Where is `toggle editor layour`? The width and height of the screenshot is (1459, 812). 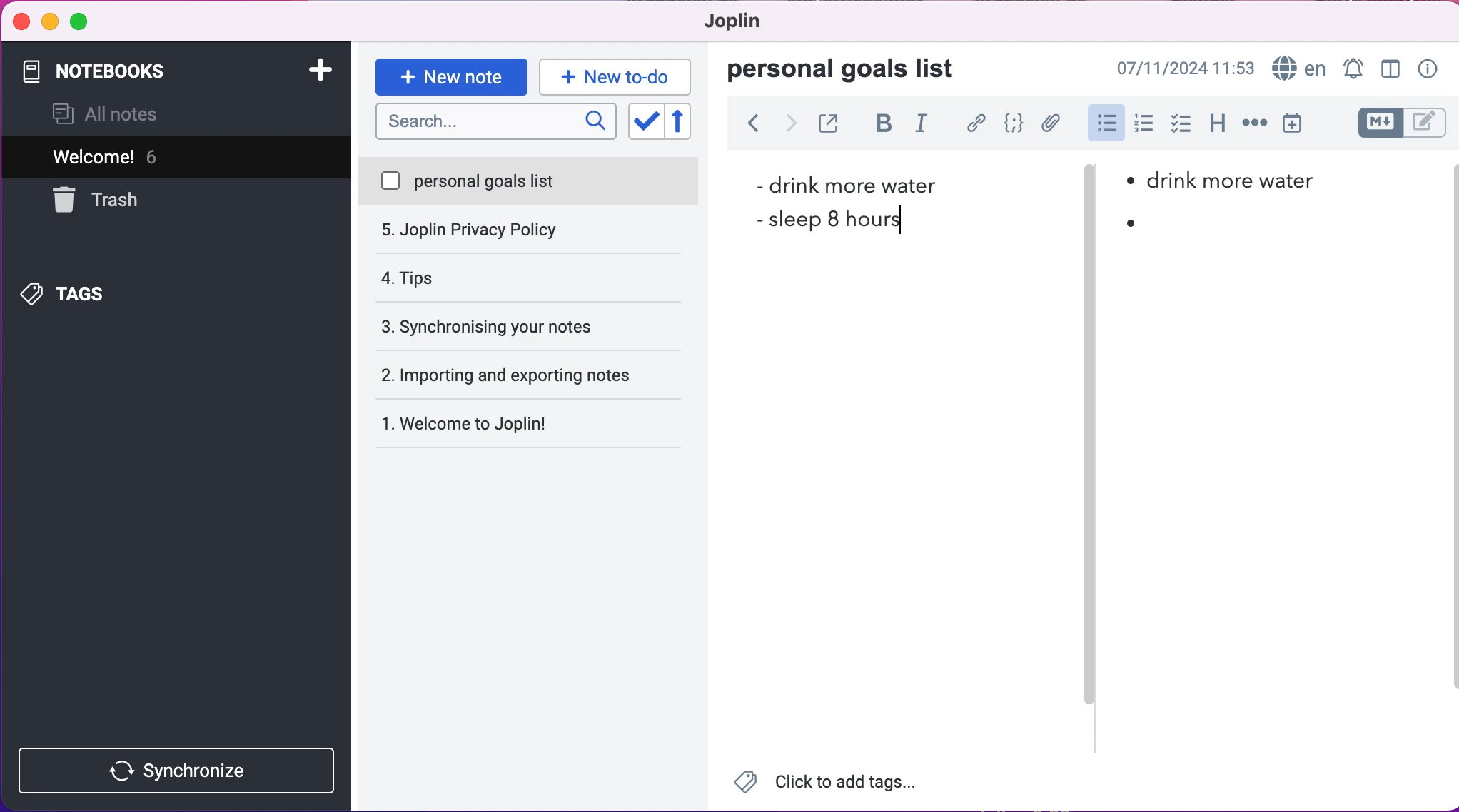
toggle editor layour is located at coordinates (1389, 66).